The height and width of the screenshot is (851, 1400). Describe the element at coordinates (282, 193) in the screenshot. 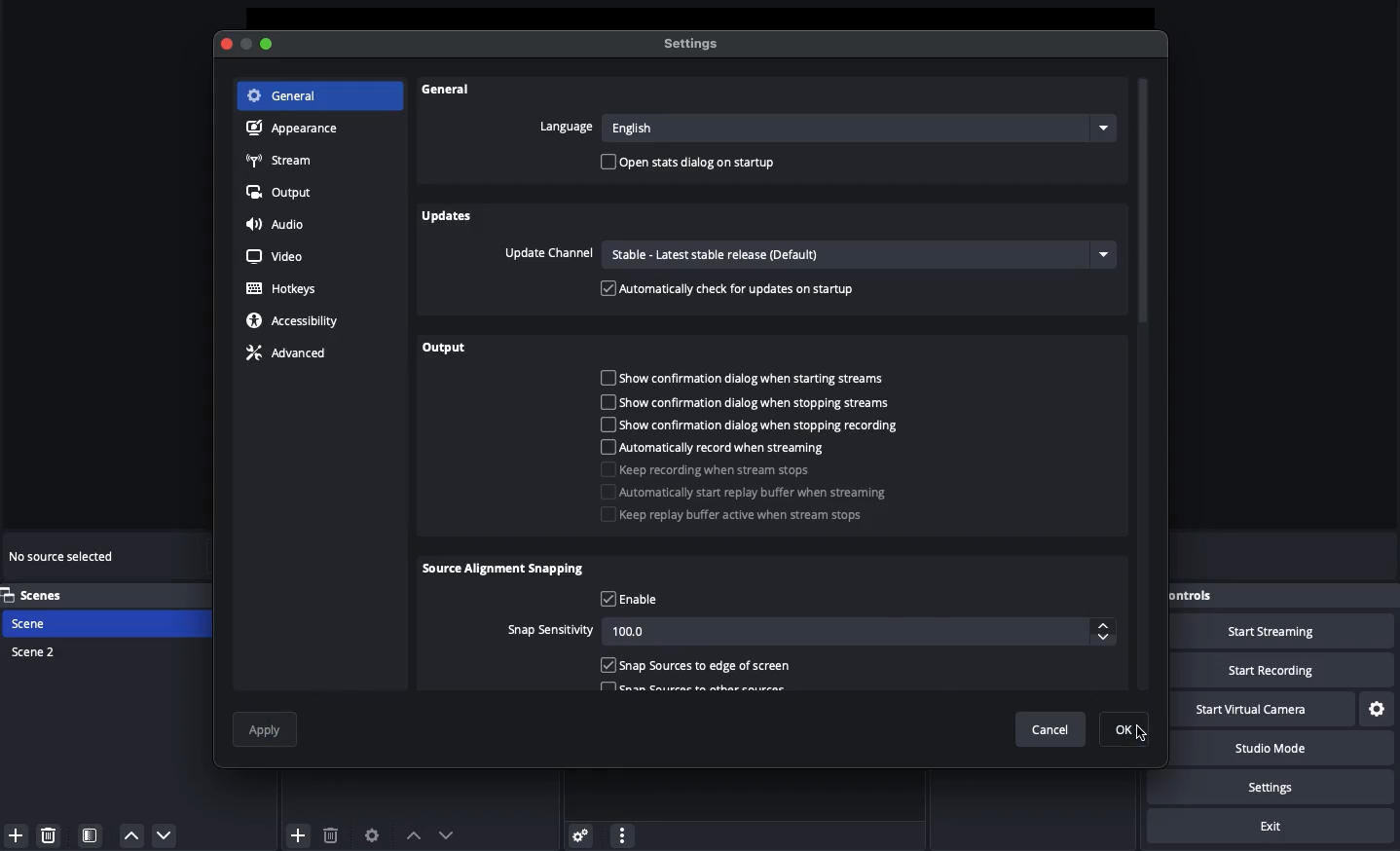

I see `Output` at that location.